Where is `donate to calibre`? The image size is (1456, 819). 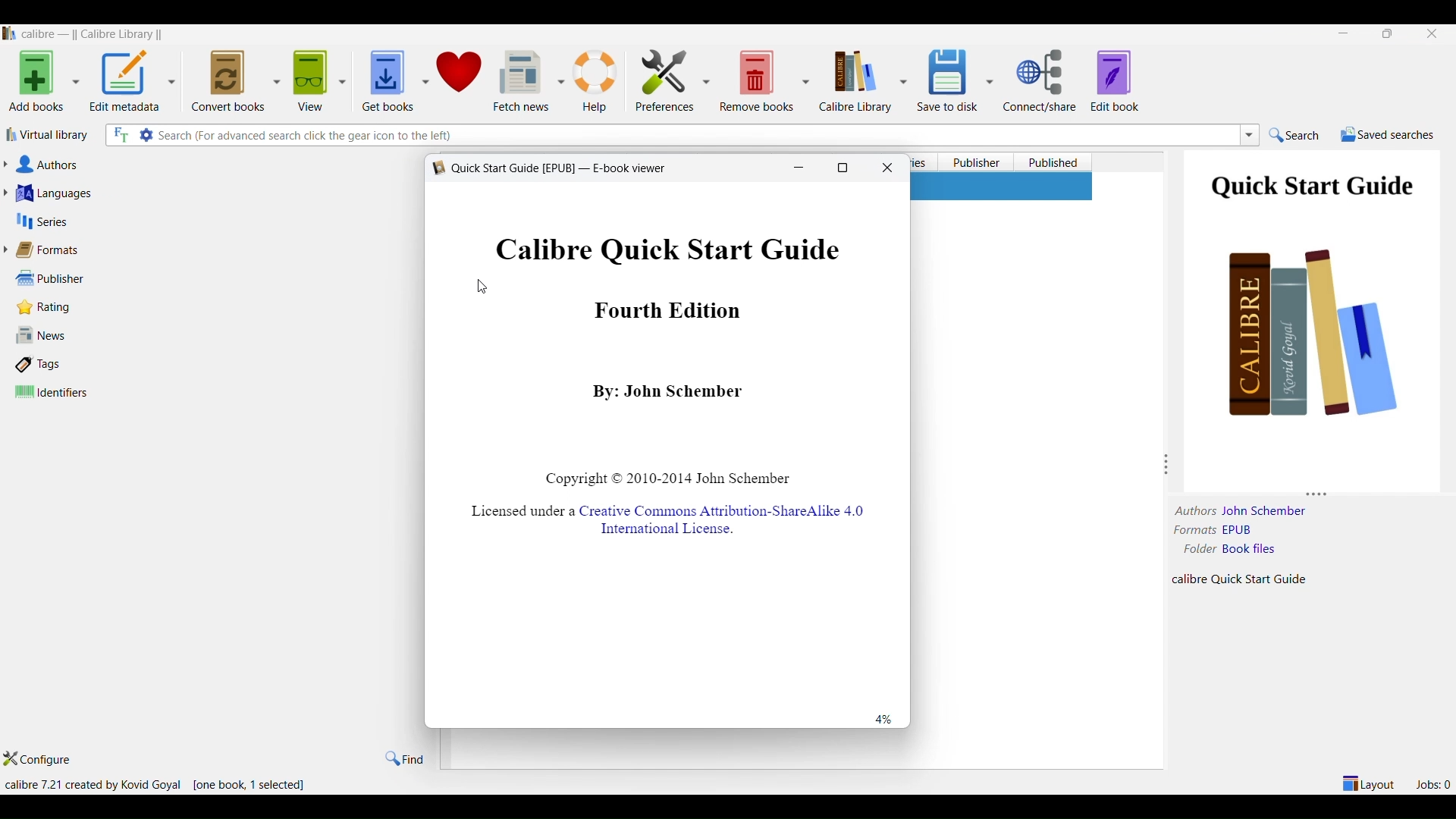
donate to calibre is located at coordinates (461, 78).